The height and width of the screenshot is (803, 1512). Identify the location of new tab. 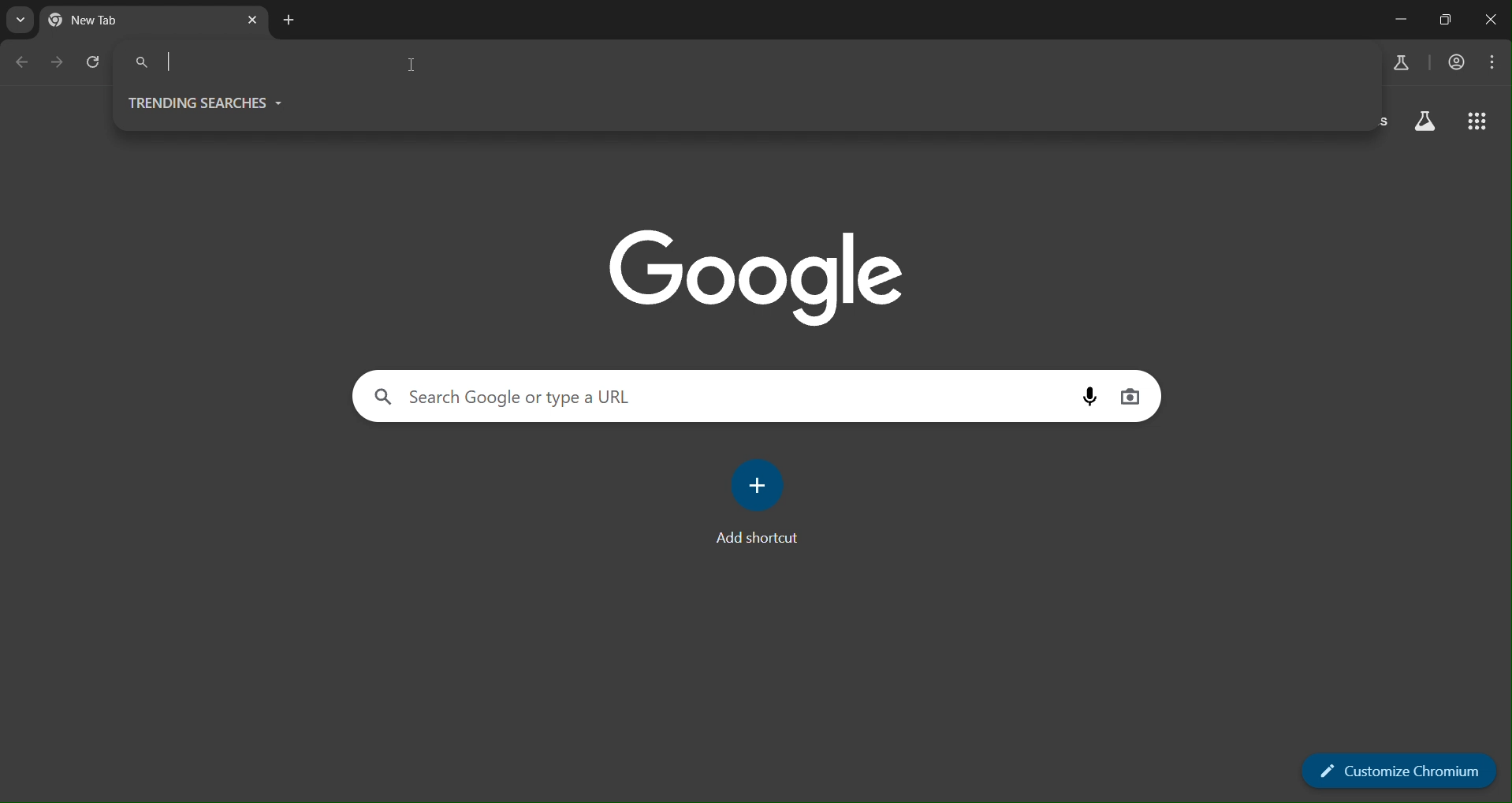
(292, 21).